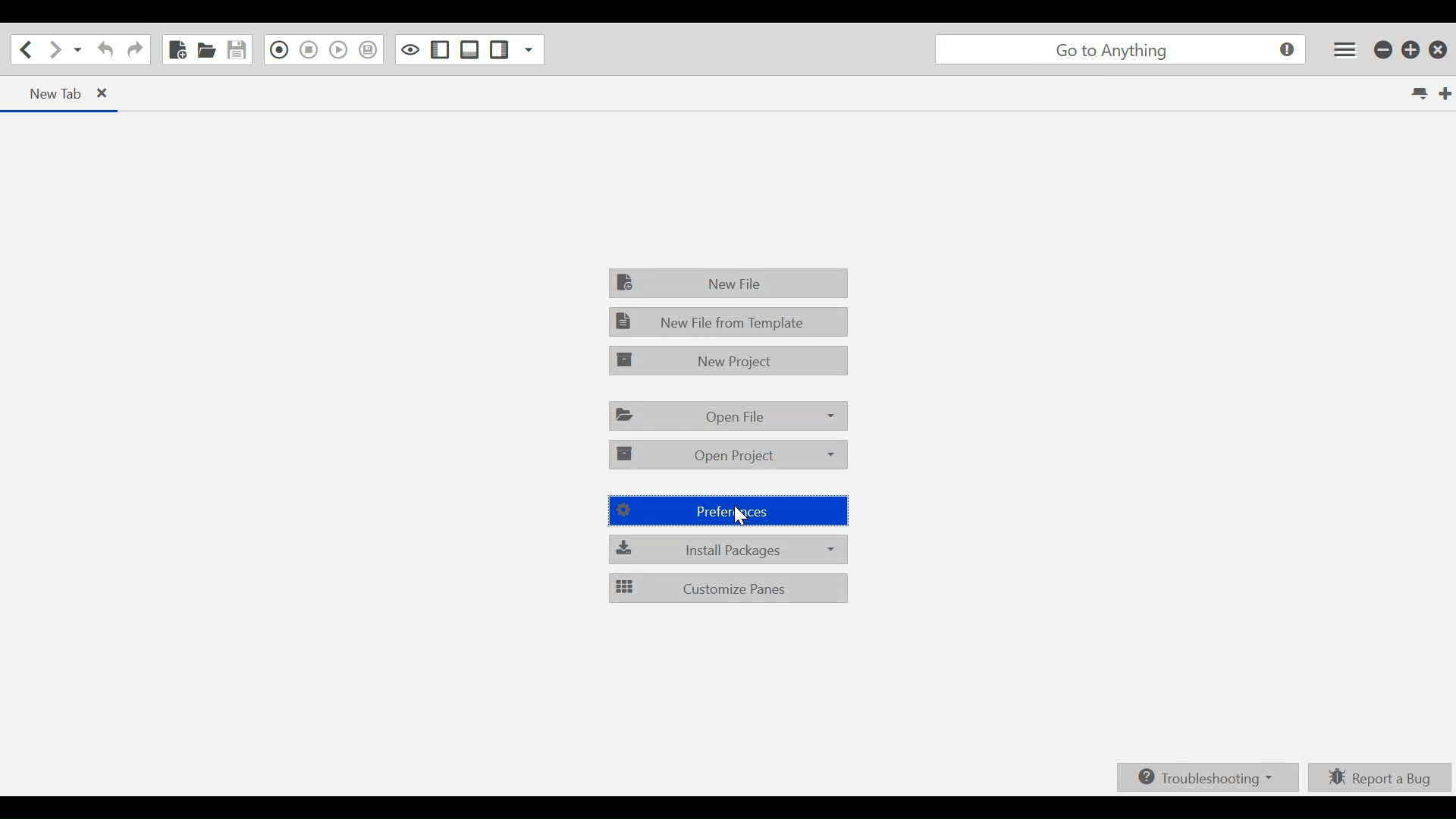 The image size is (1456, 819). Describe the element at coordinates (744, 518) in the screenshot. I see `cursor` at that location.